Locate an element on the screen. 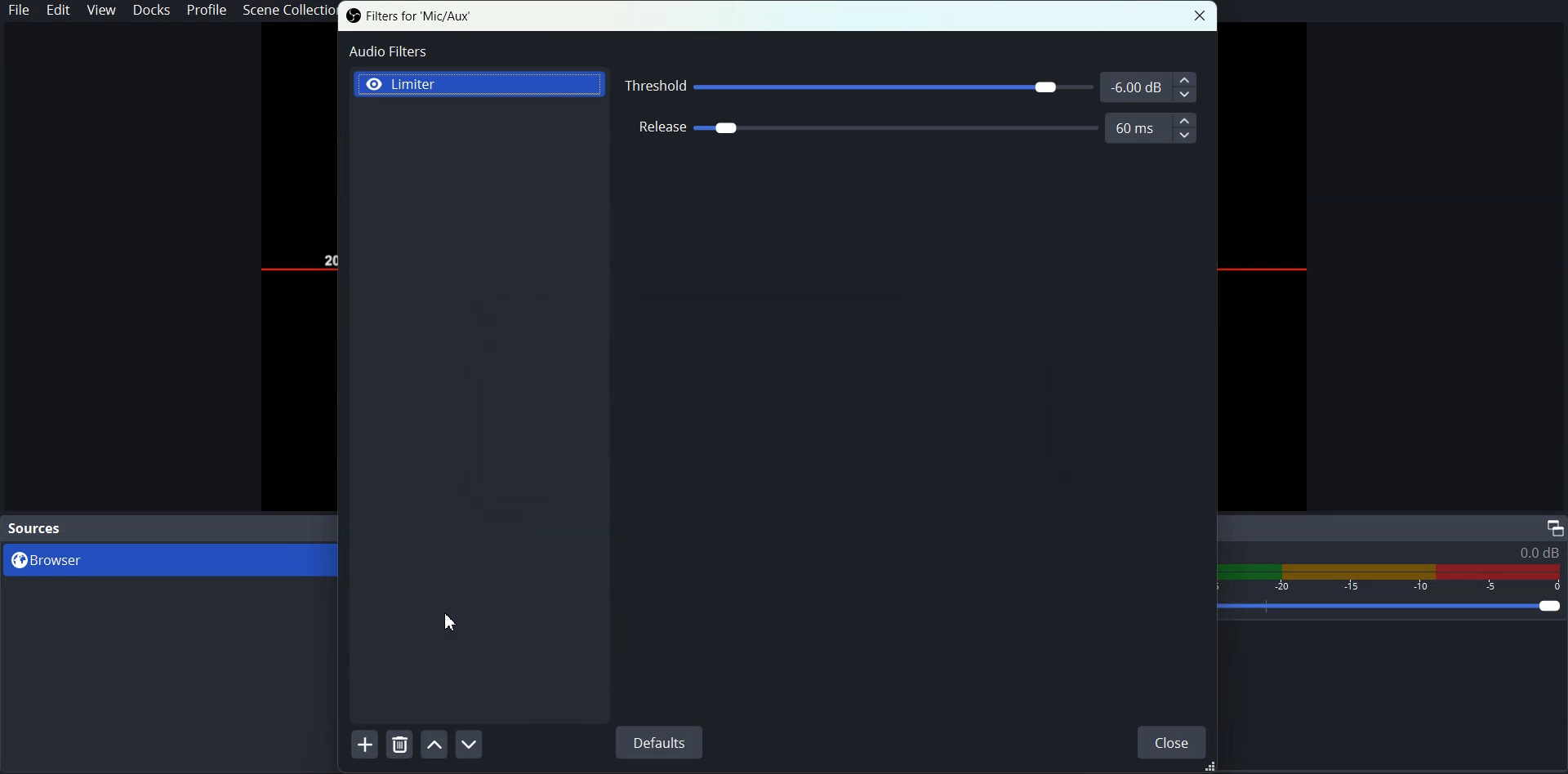 This screenshot has height=774, width=1568. Close is located at coordinates (1202, 16).